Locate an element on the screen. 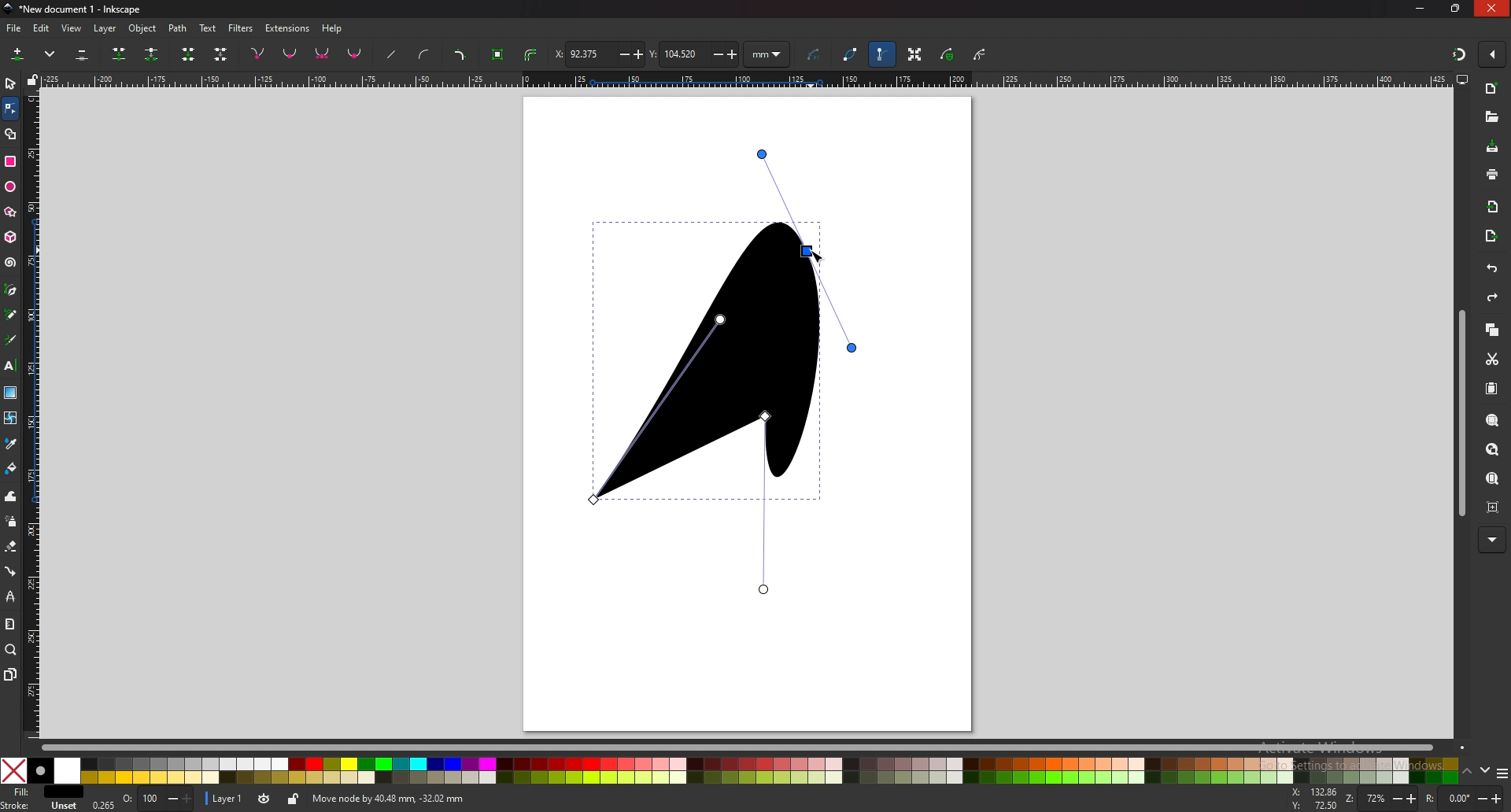 Image resolution: width=1511 pixels, height=812 pixels. up is located at coordinates (1467, 772).